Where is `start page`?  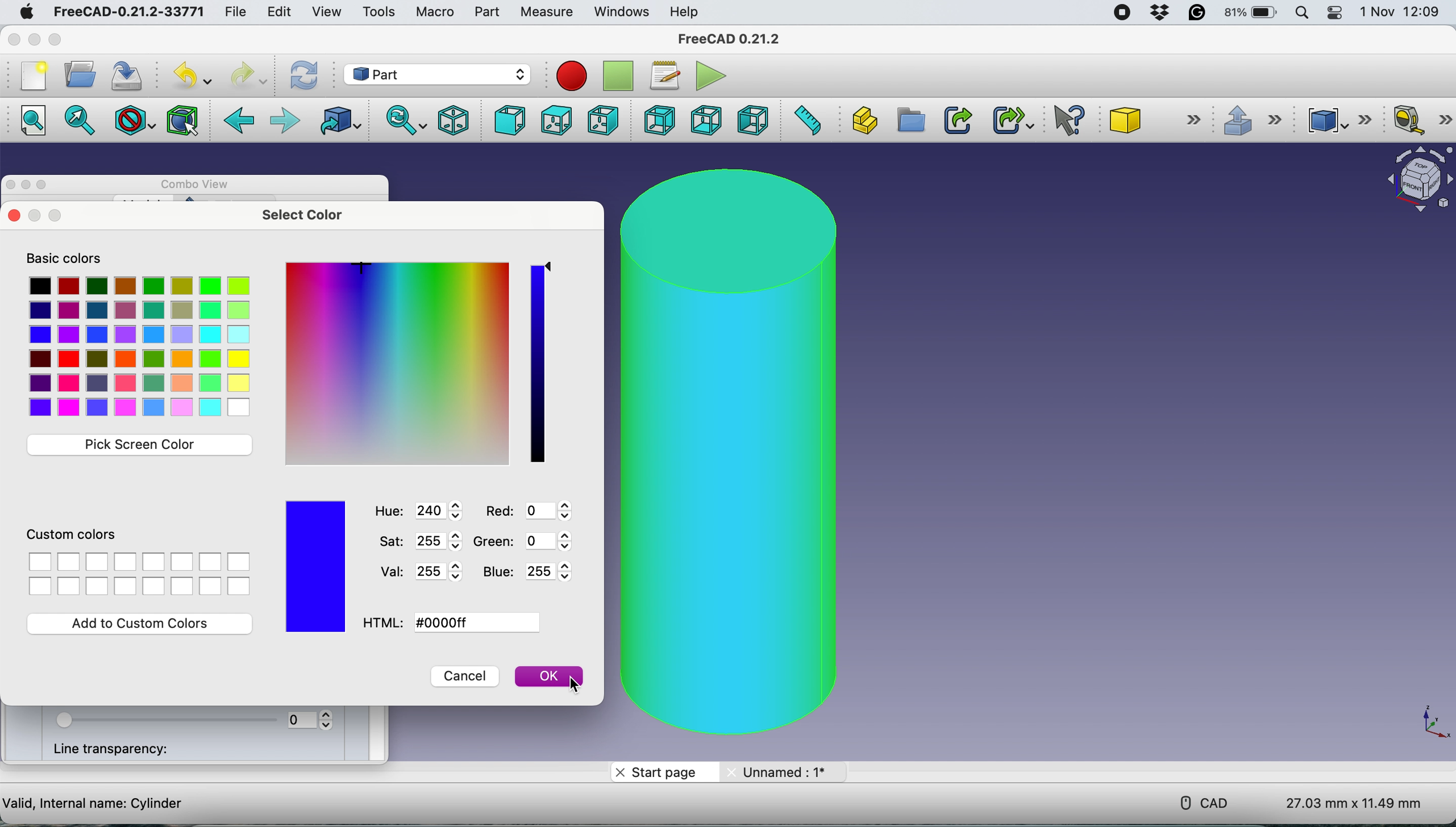
start page is located at coordinates (661, 773).